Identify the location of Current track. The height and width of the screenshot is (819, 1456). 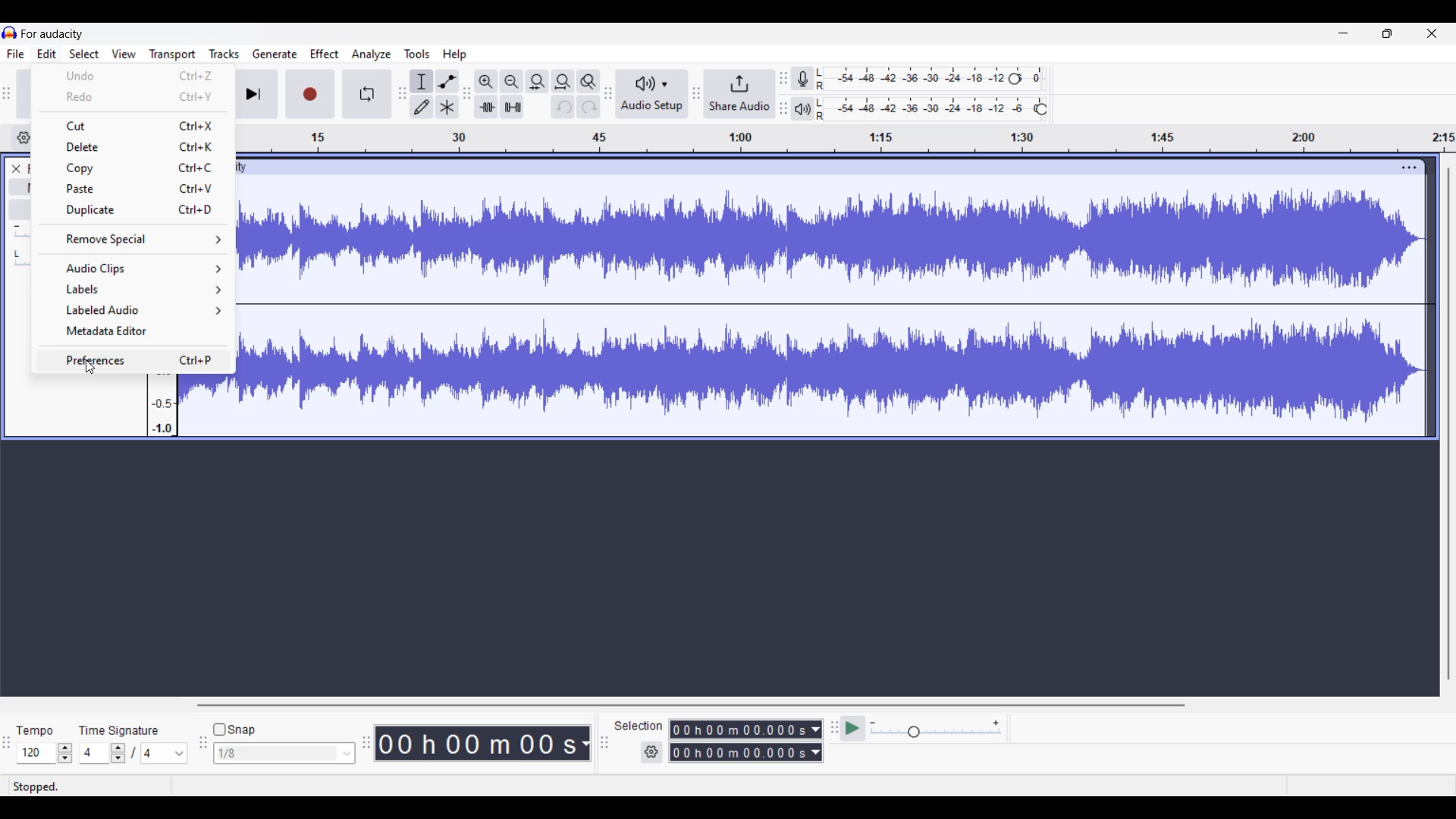
(833, 308).